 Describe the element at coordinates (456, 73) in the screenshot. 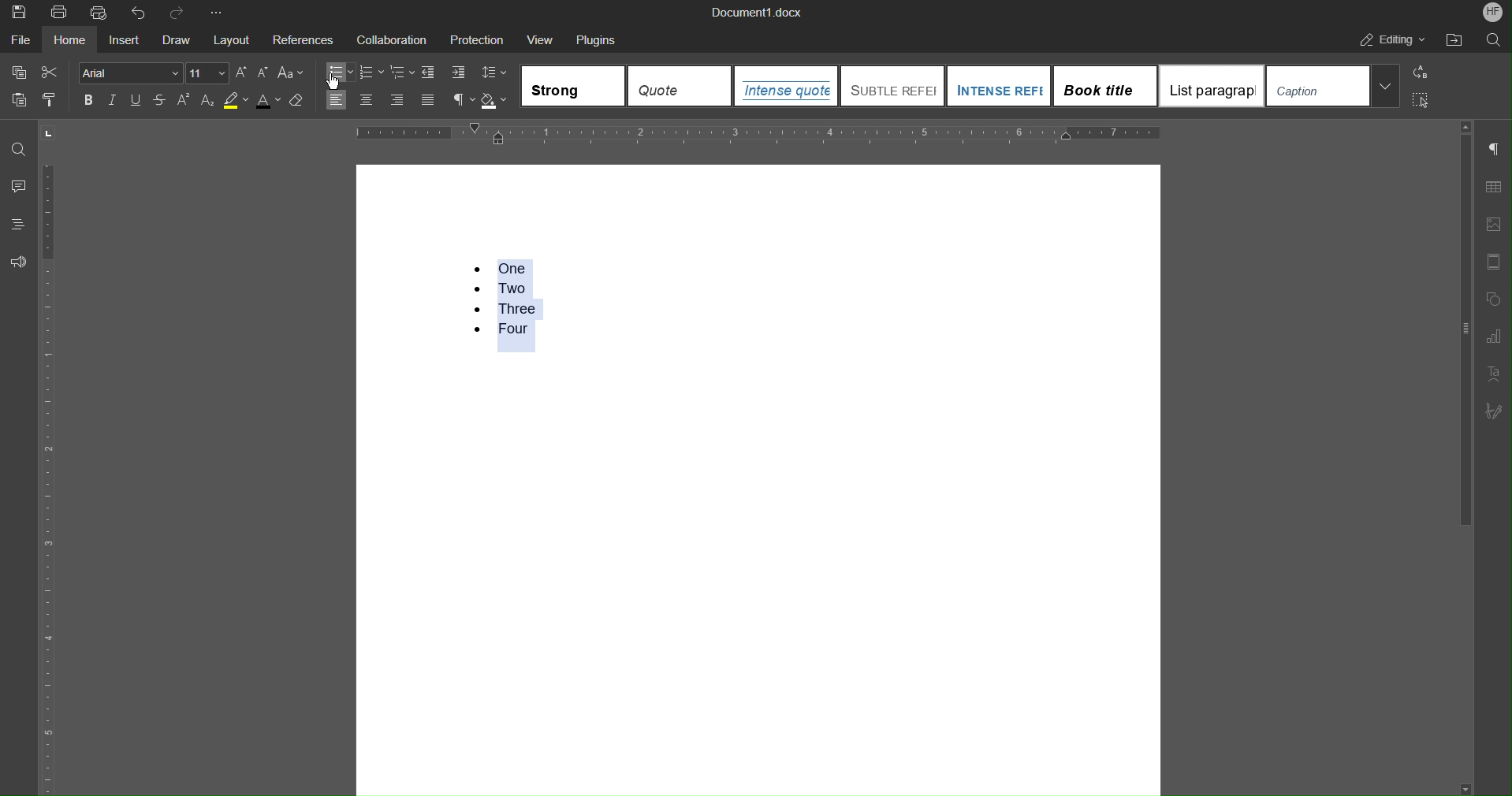

I see `Increase Indent` at that location.